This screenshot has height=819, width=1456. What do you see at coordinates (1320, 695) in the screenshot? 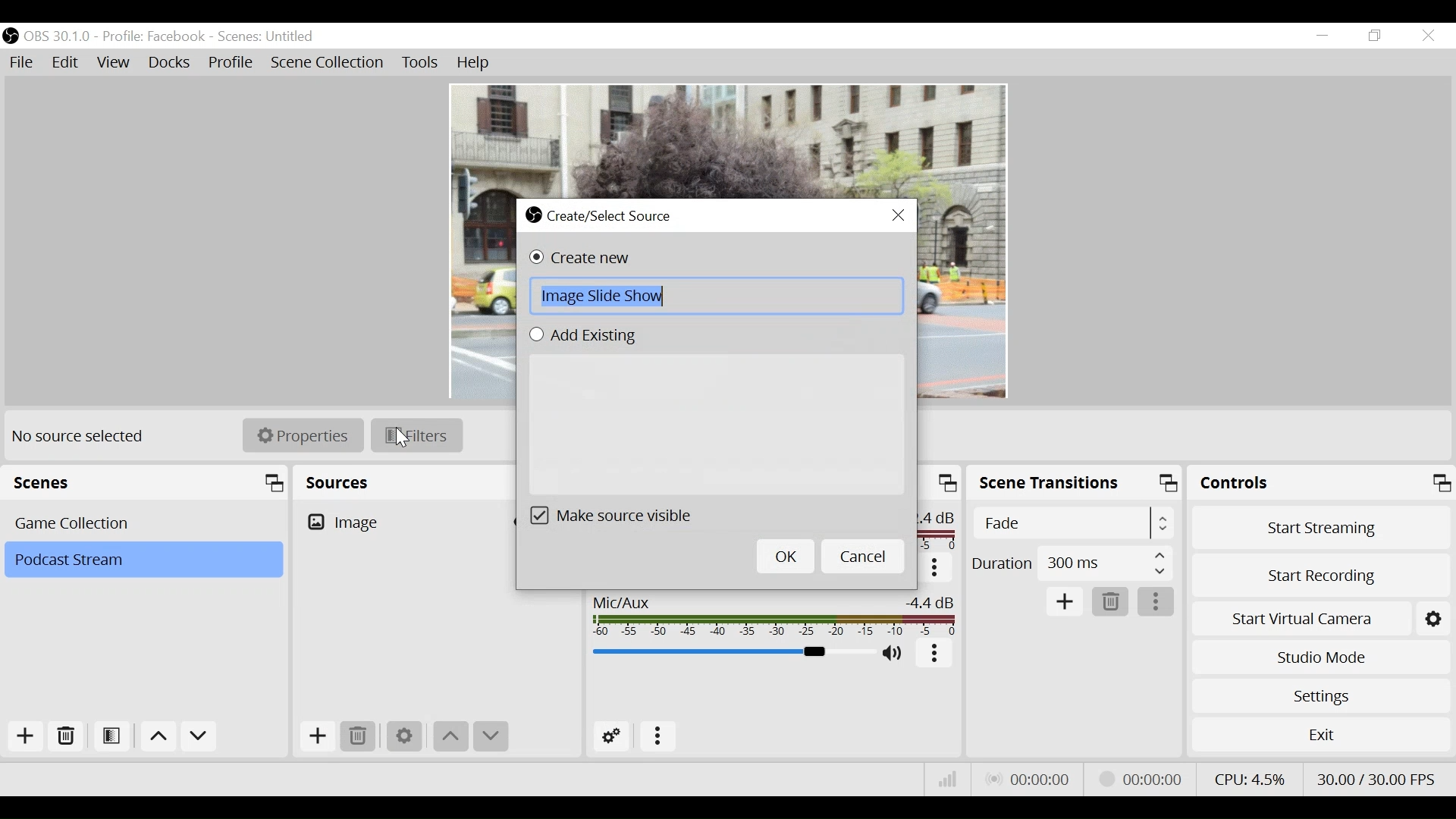
I see `Settings` at bounding box center [1320, 695].